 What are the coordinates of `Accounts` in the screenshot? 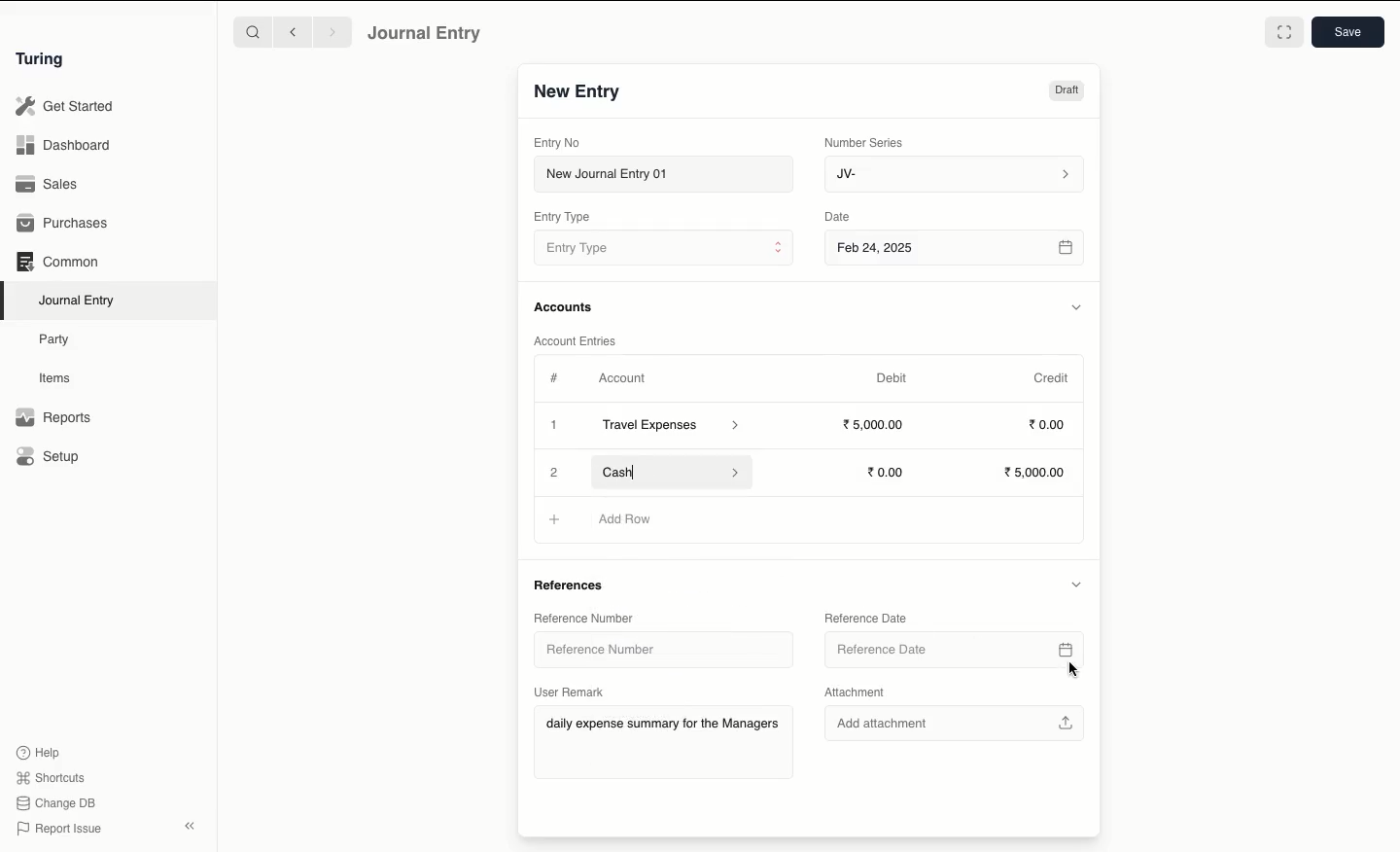 It's located at (565, 307).